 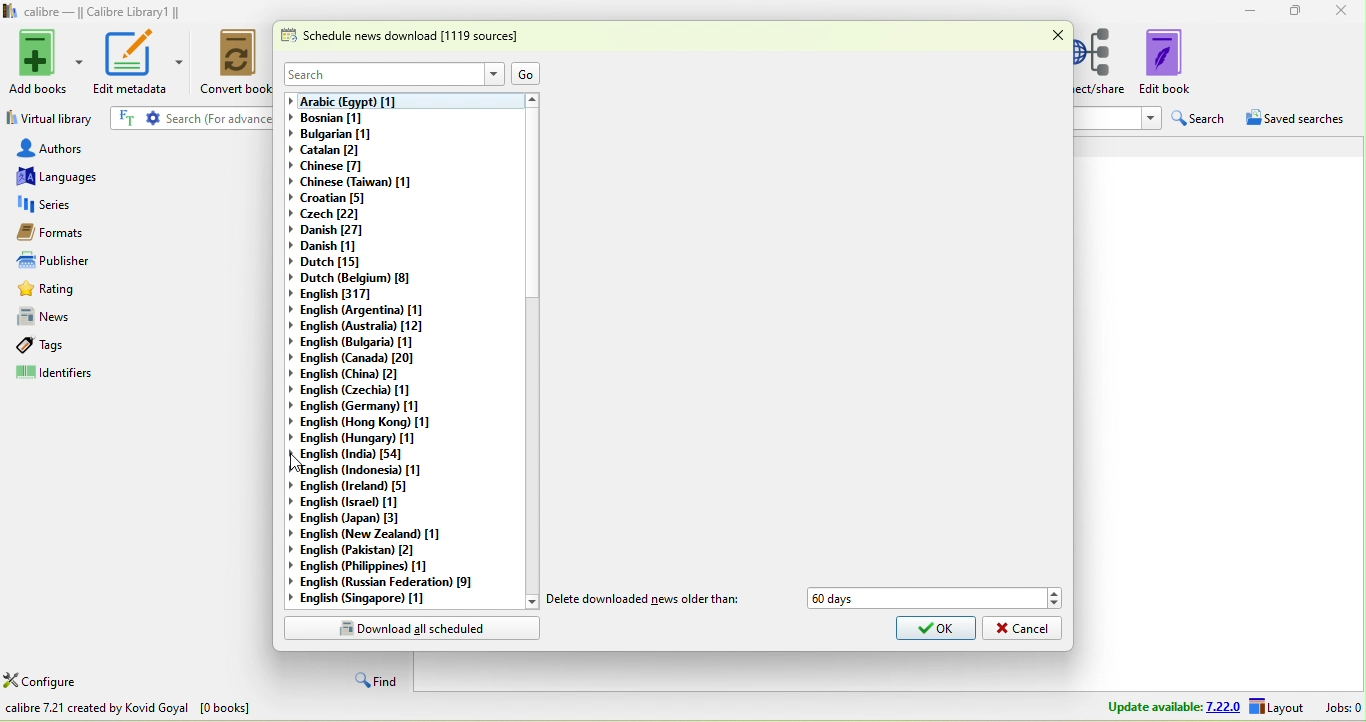 What do you see at coordinates (138, 376) in the screenshot?
I see `identifiers` at bounding box center [138, 376].